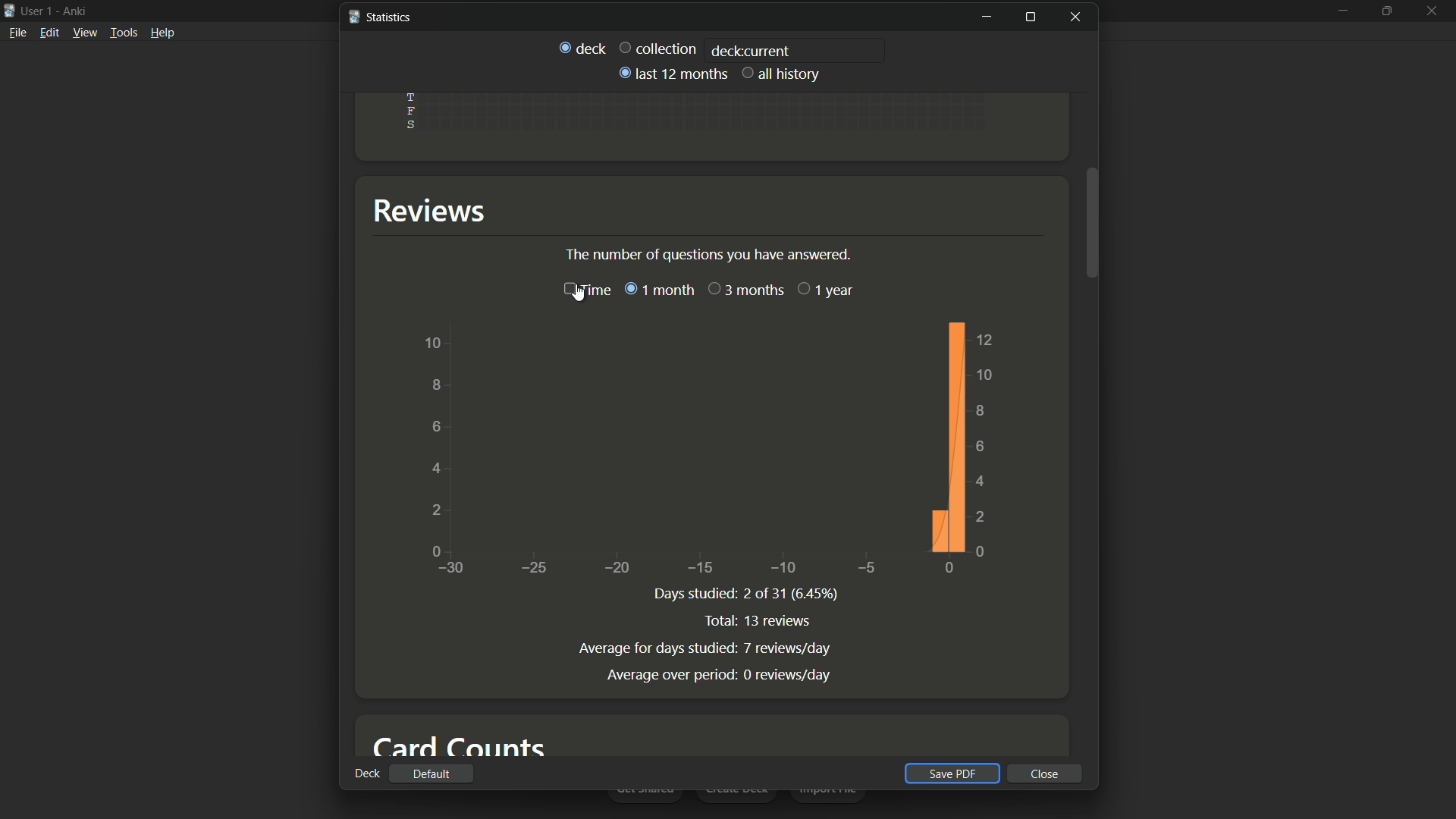  What do you see at coordinates (711, 254) in the screenshot?
I see `the number of questions you have answered` at bounding box center [711, 254].